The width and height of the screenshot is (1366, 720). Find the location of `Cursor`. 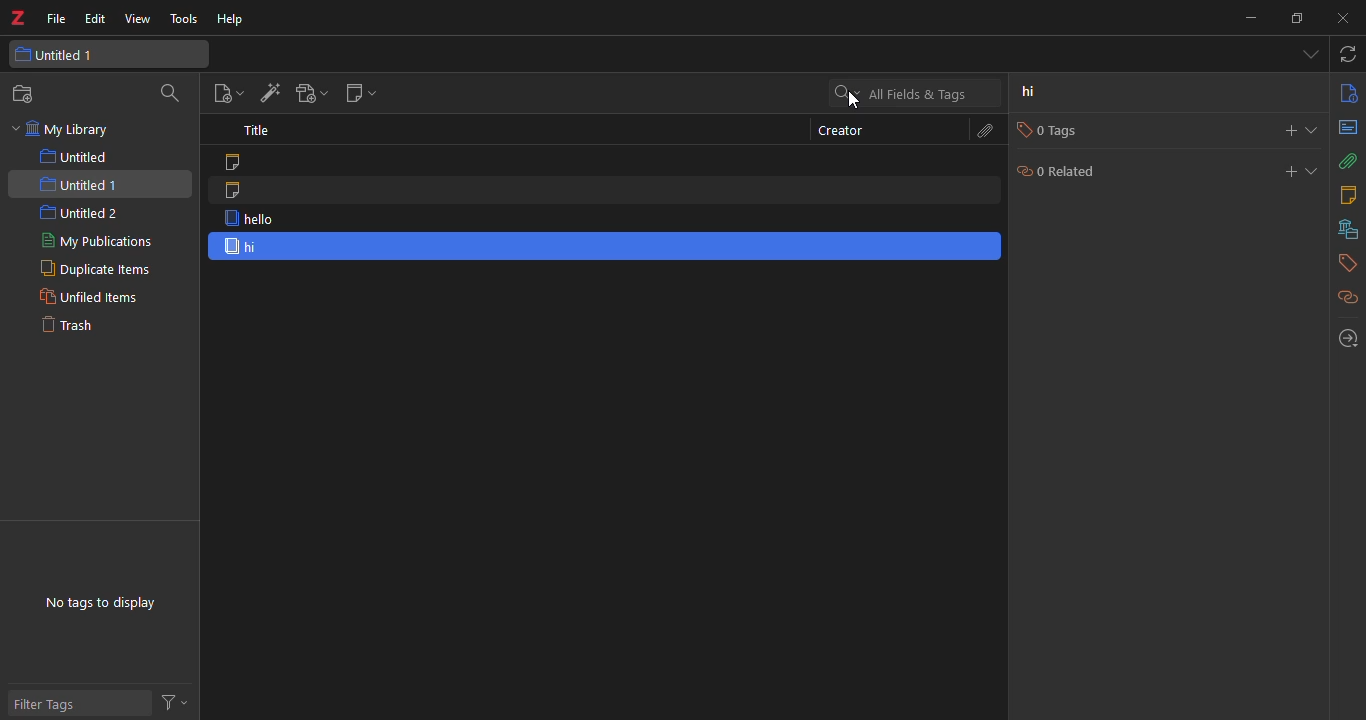

Cursor is located at coordinates (853, 102).